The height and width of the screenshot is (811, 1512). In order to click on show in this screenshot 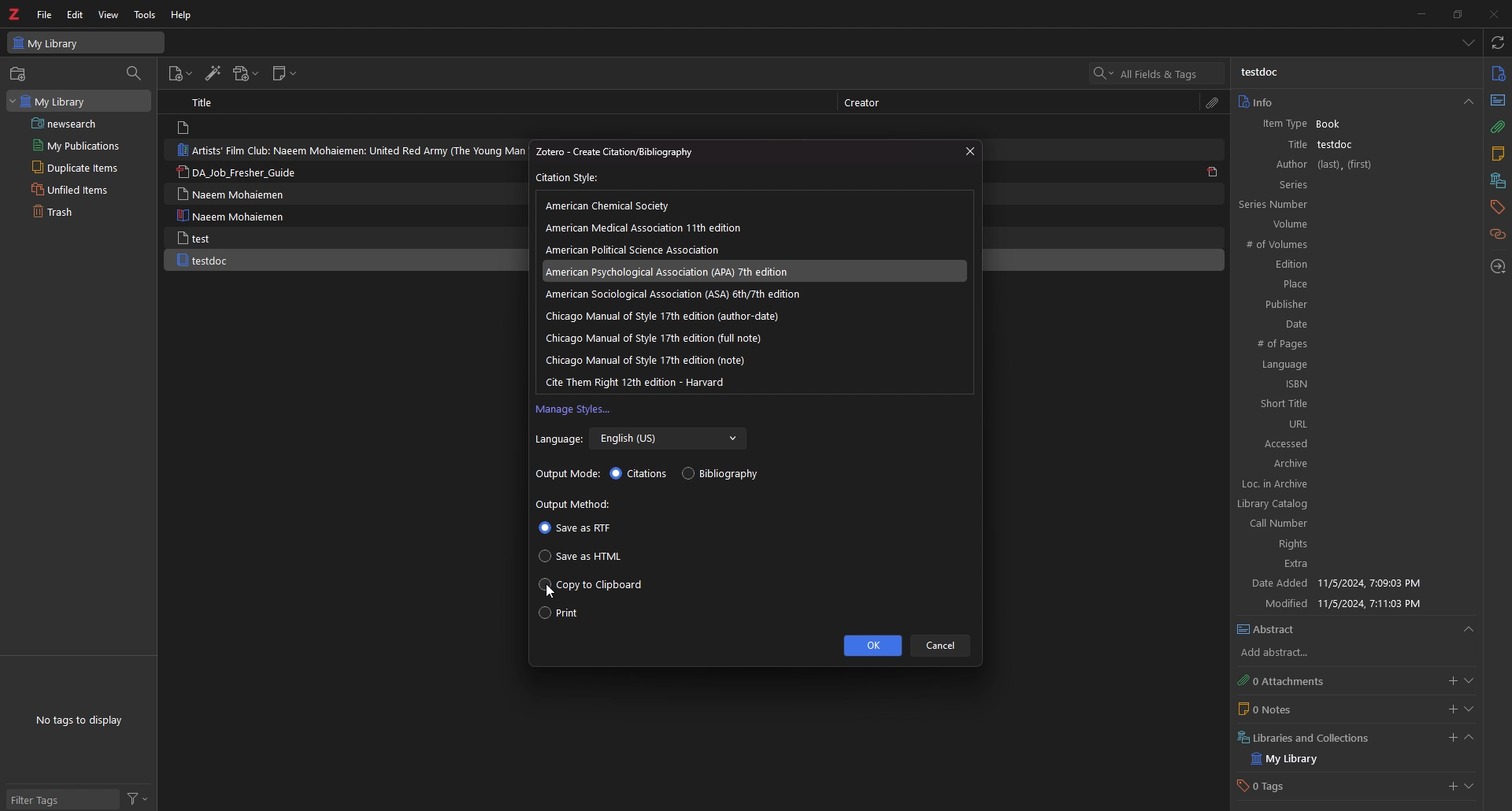, I will do `click(1472, 788)`.